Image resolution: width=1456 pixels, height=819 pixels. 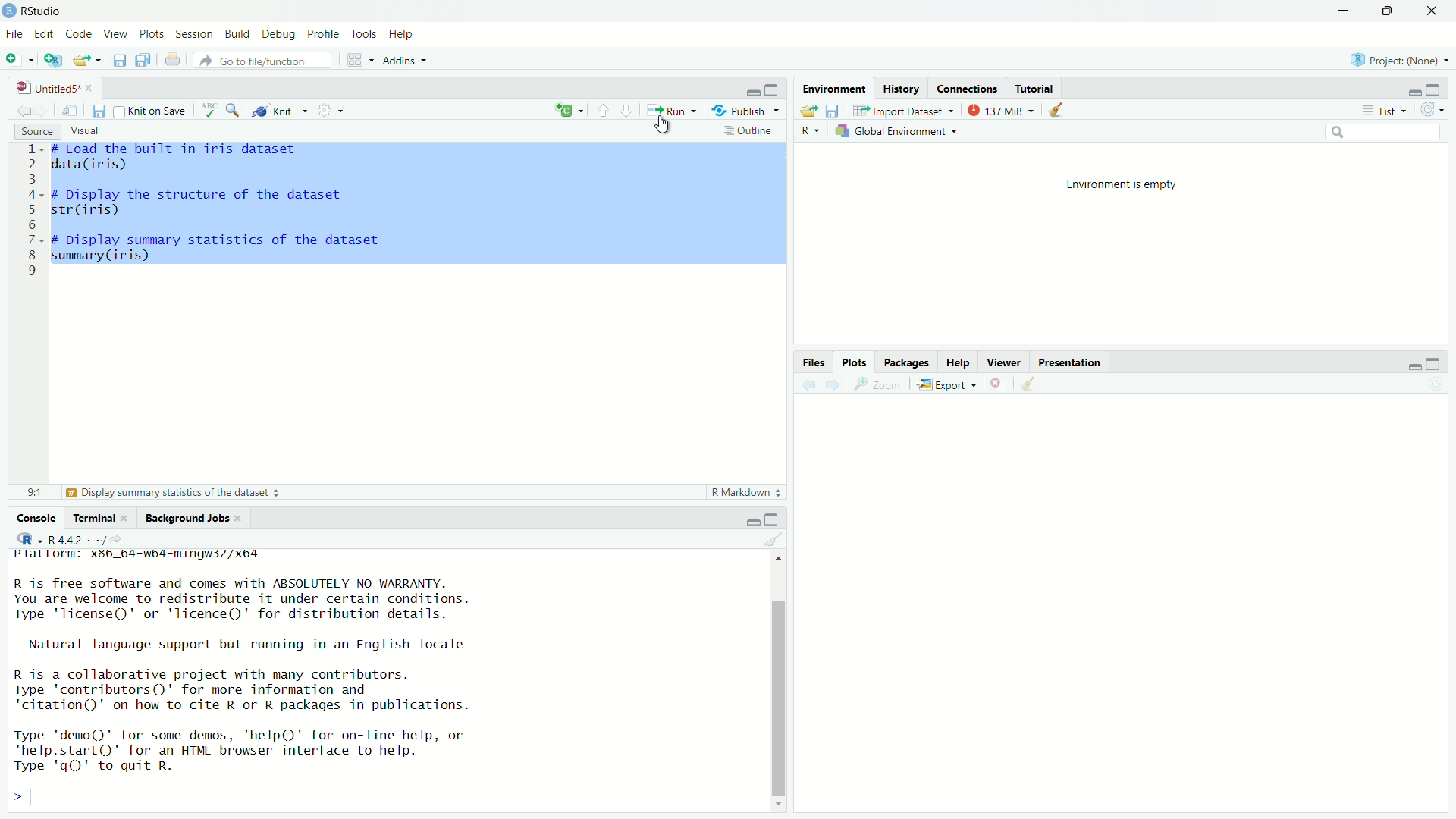 I want to click on Code, so click(x=78, y=34).